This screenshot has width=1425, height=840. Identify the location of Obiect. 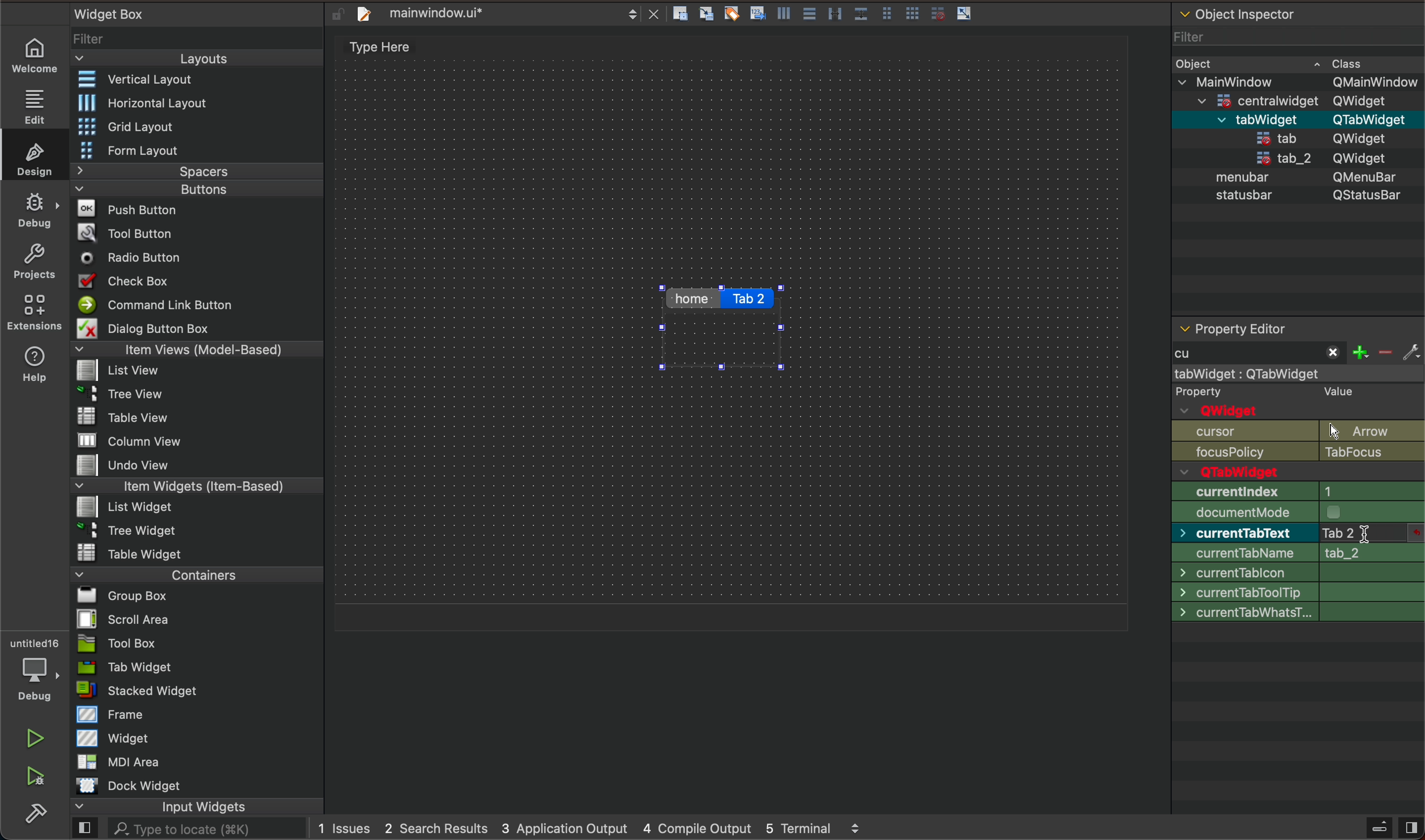
(1194, 61).